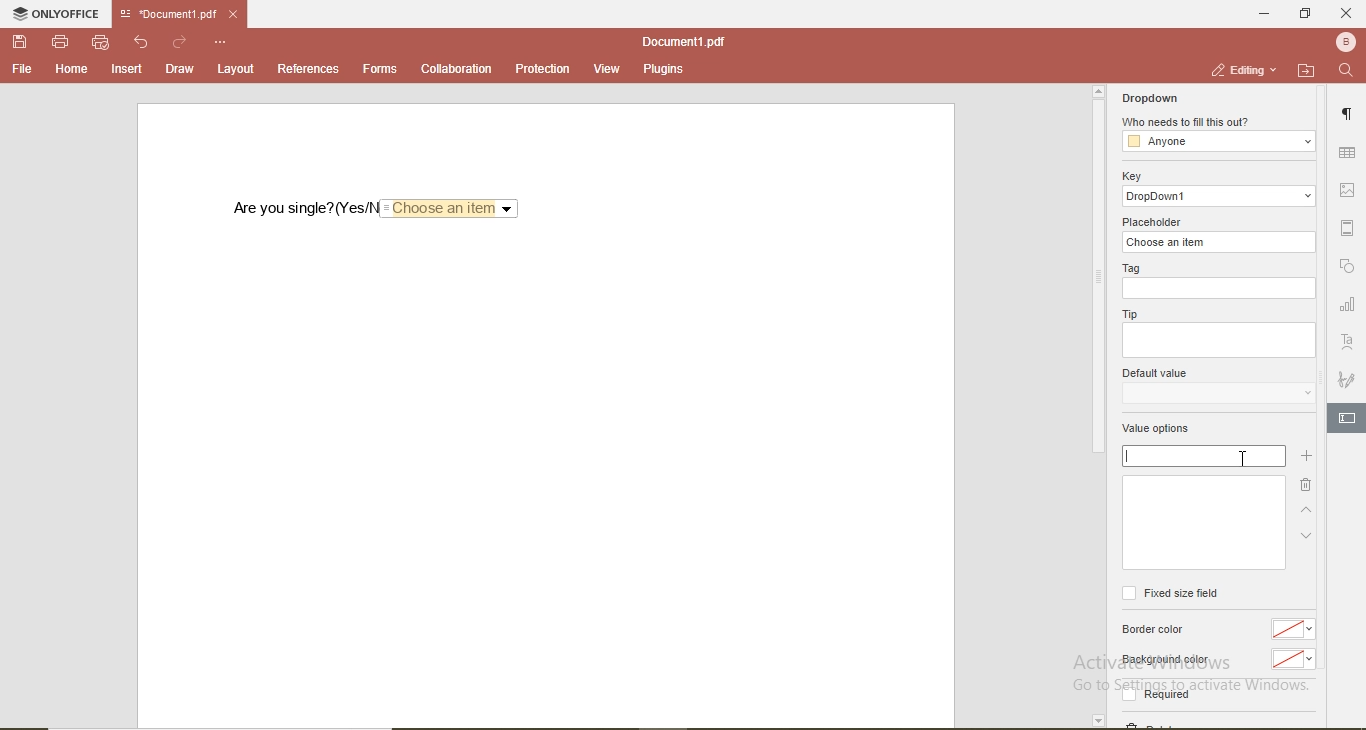  Describe the element at coordinates (62, 43) in the screenshot. I see `print` at that location.